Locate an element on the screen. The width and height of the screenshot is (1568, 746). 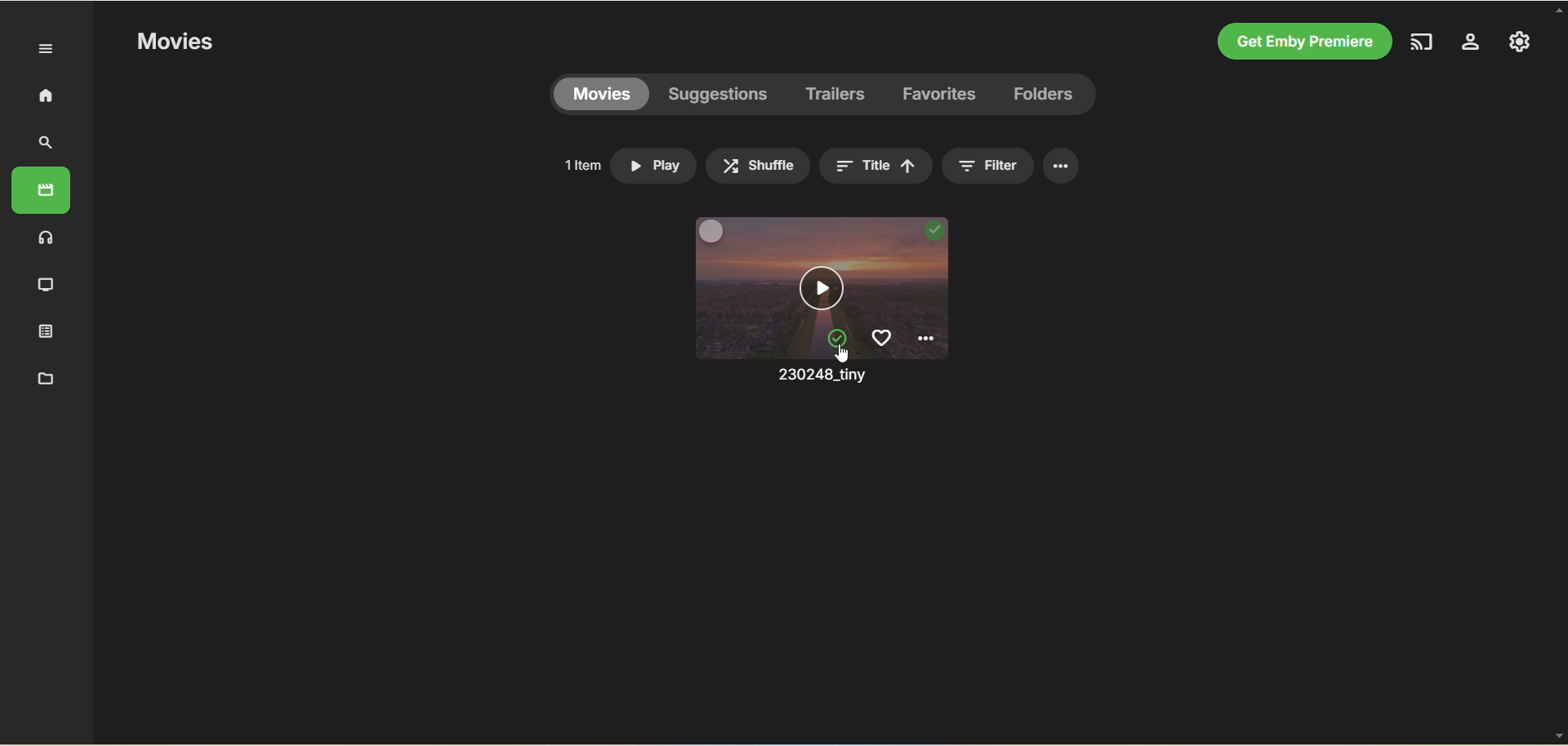
settings is located at coordinates (1521, 42).